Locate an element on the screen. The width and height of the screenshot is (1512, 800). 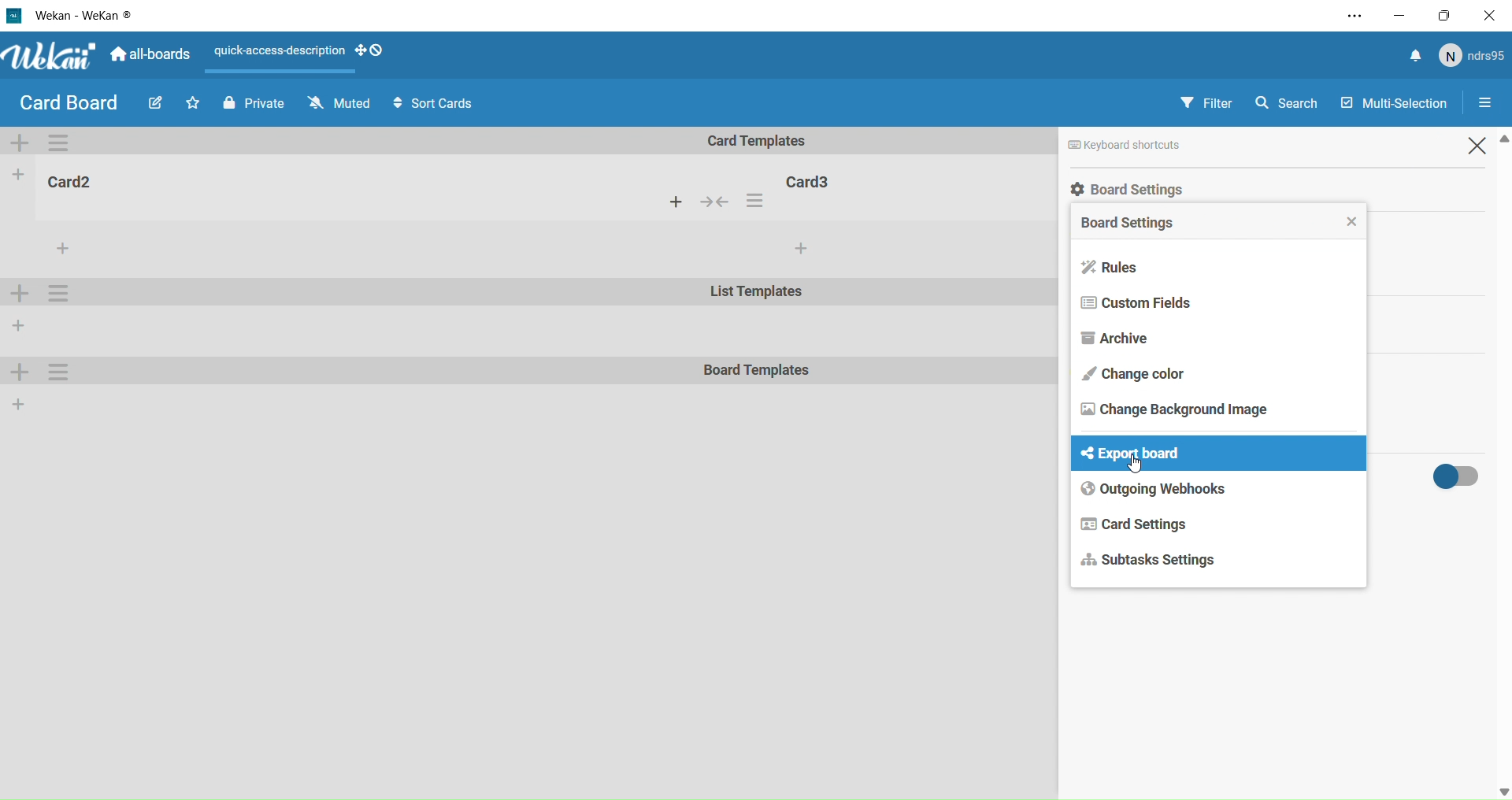
Filtrar is located at coordinates (1208, 102).